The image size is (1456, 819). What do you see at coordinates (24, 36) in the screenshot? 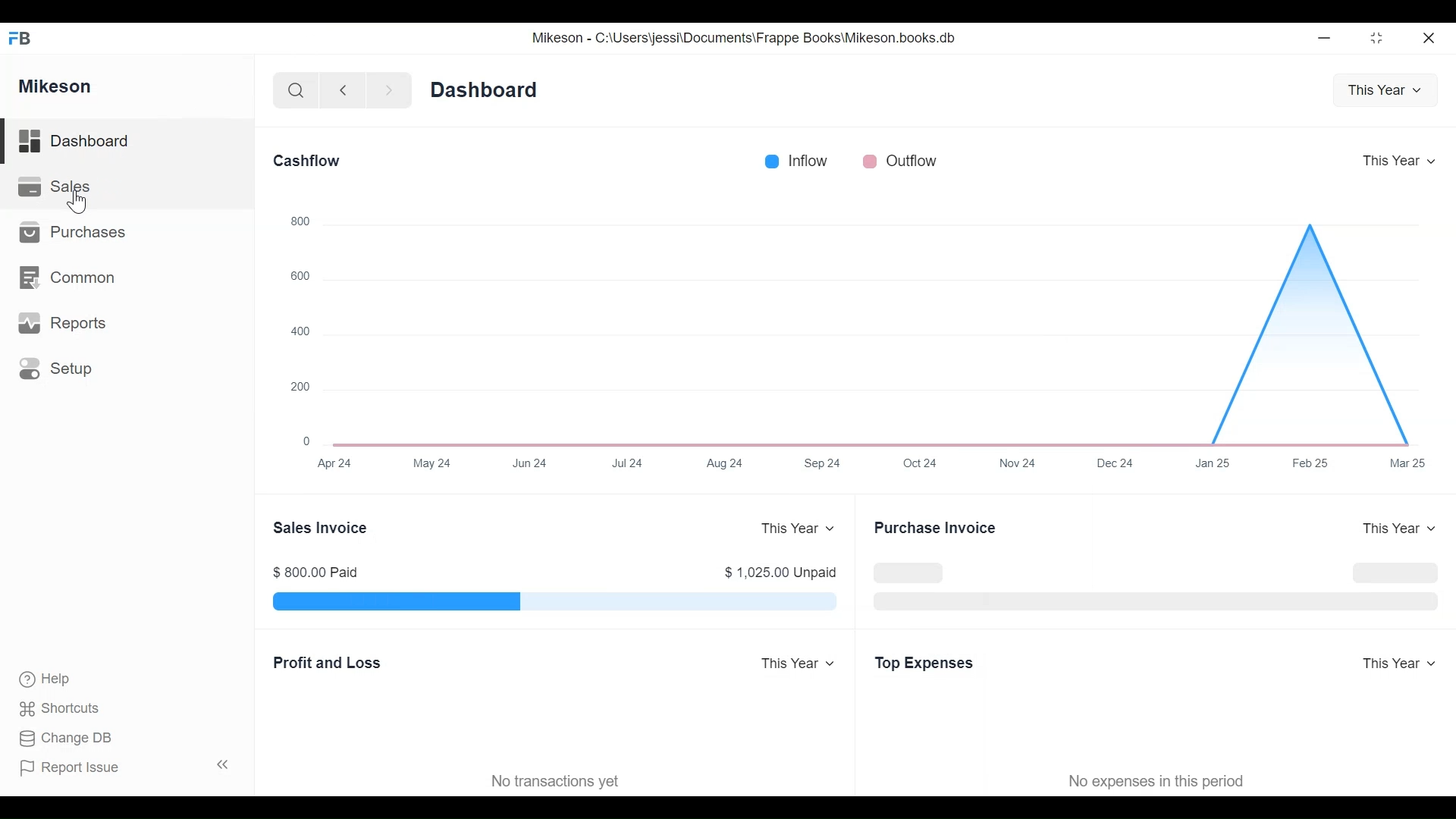
I see `FB` at bounding box center [24, 36].